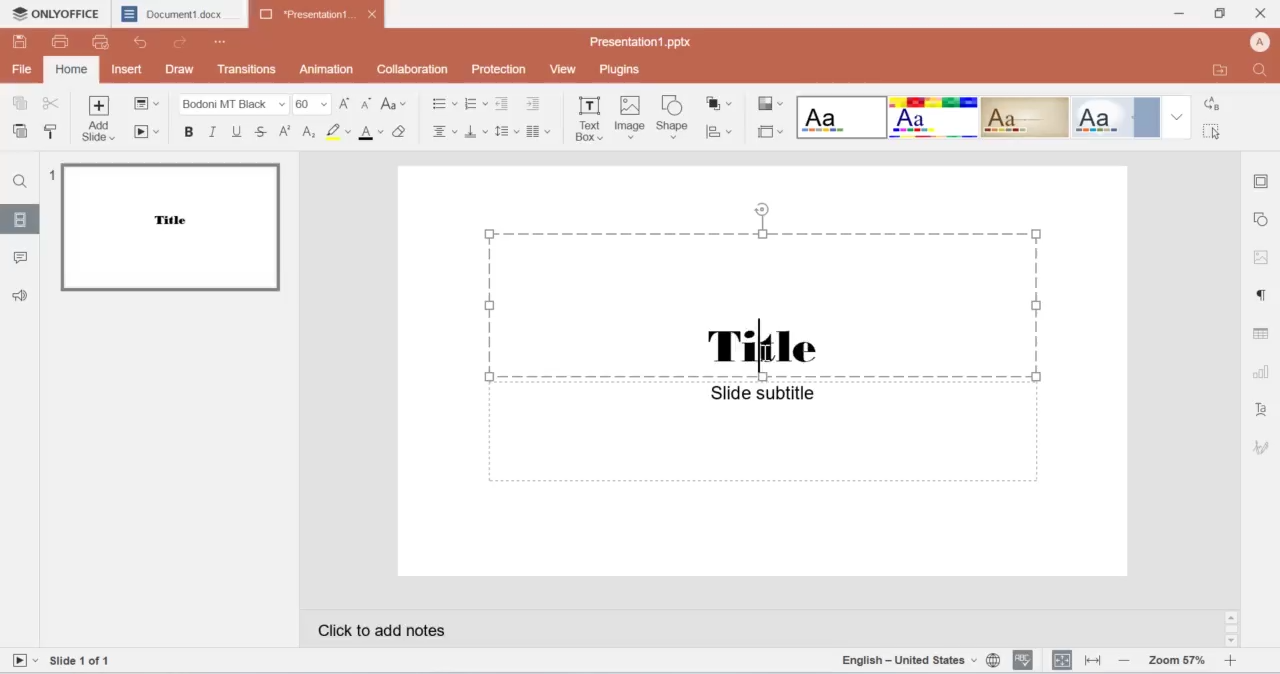  What do you see at coordinates (589, 122) in the screenshot?
I see `text box` at bounding box center [589, 122].